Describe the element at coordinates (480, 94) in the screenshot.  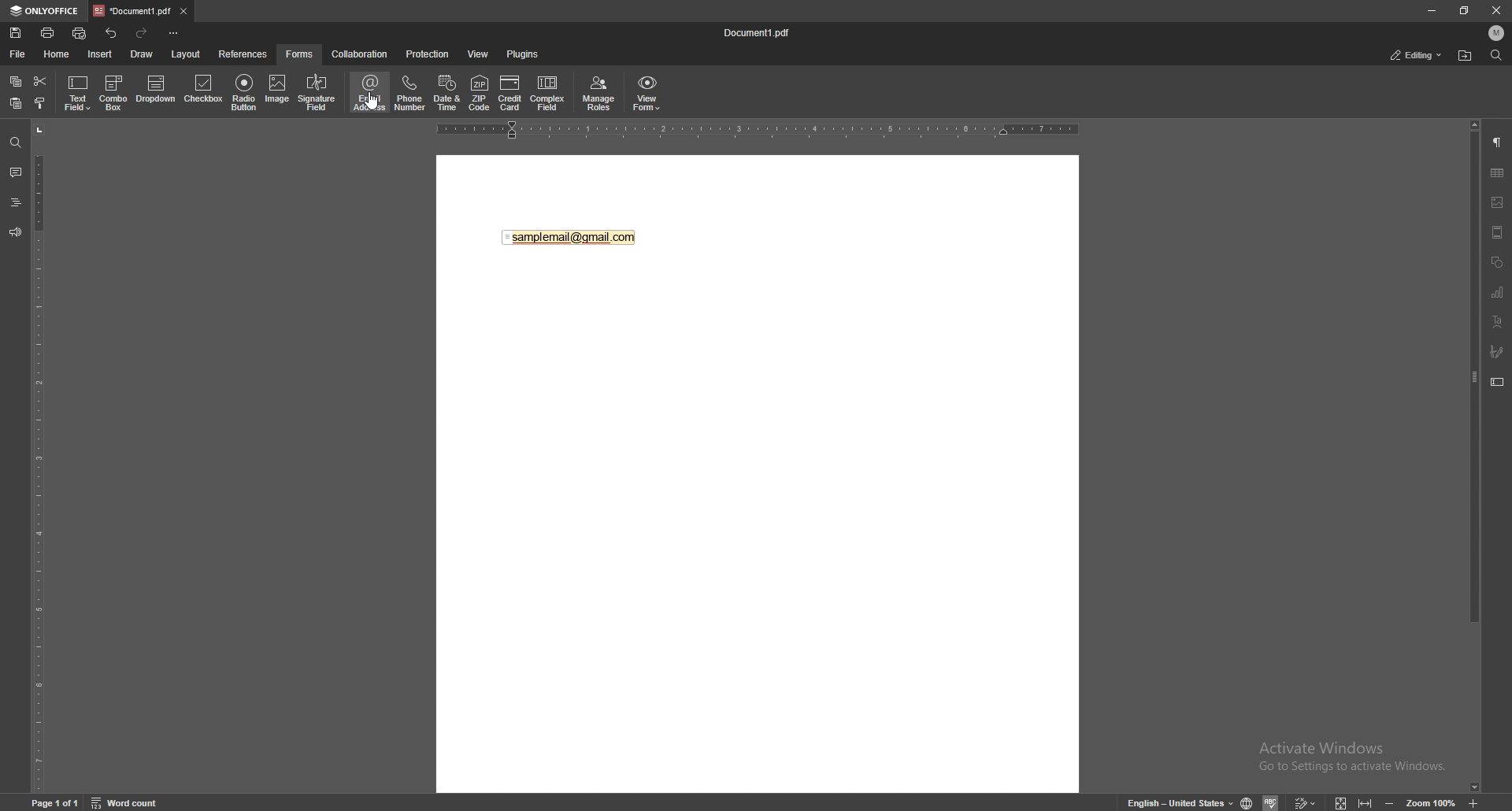
I see `zip code` at that location.